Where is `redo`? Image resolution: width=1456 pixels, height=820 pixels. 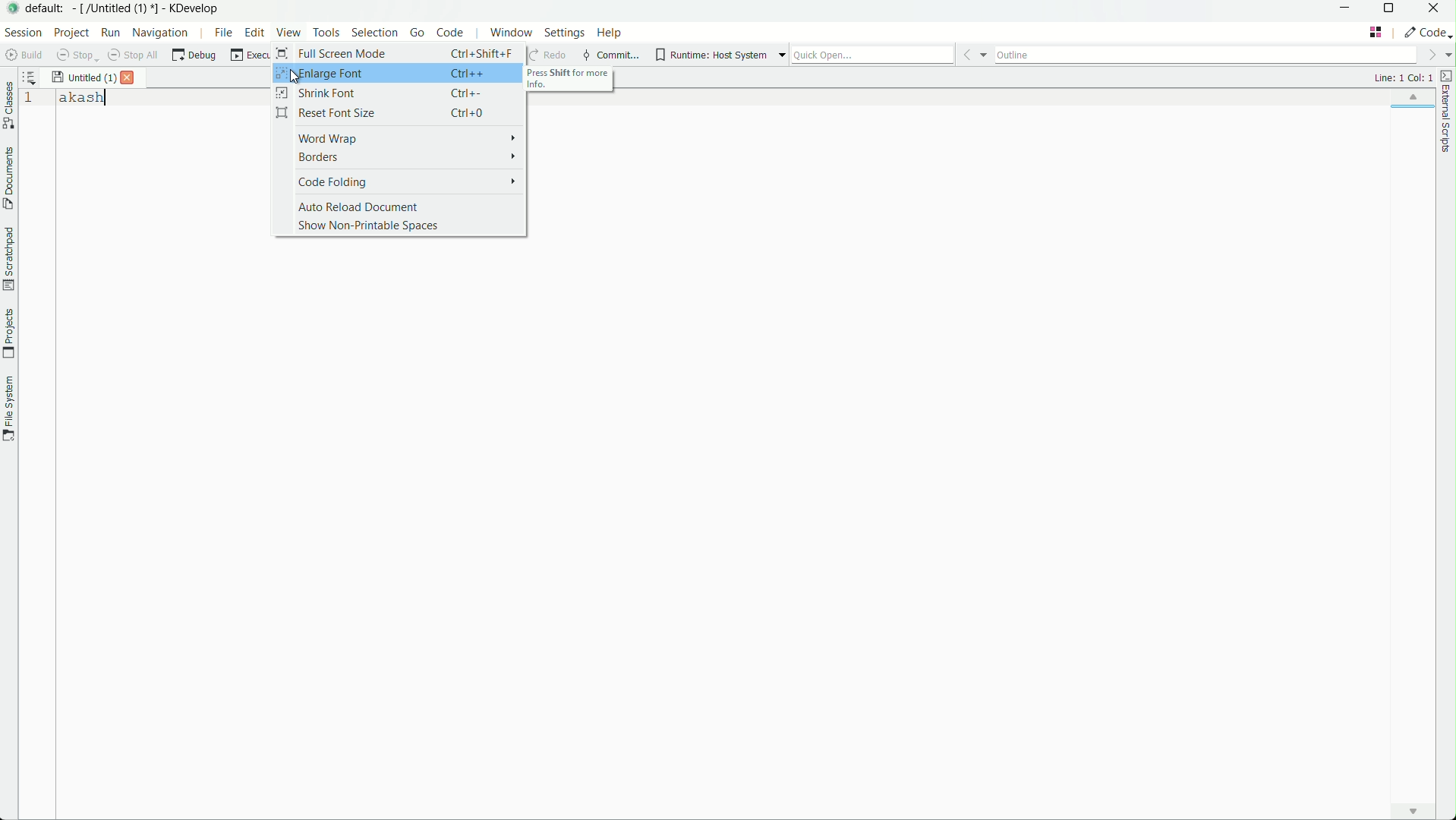 redo is located at coordinates (547, 55).